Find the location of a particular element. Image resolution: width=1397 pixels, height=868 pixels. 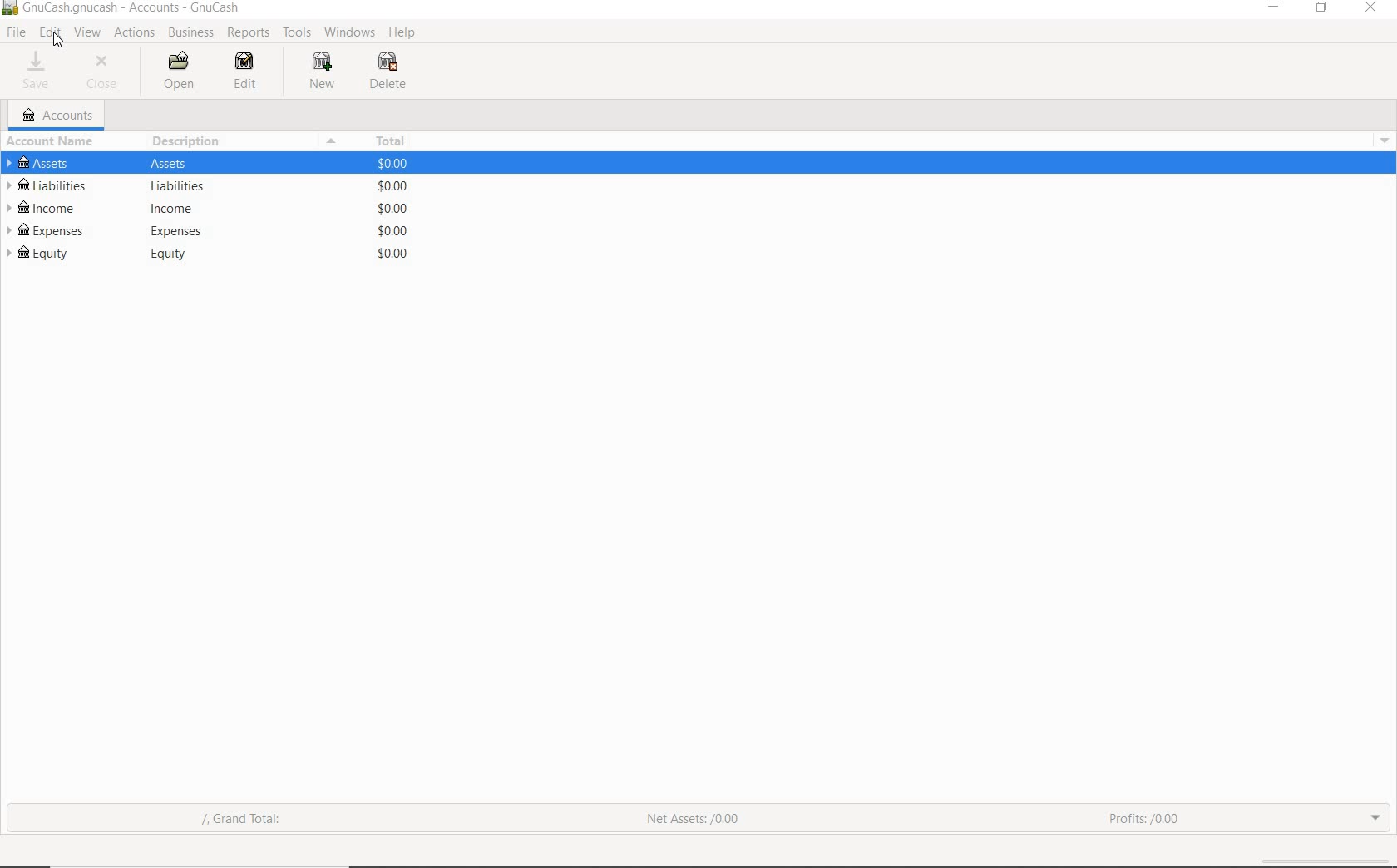

 is located at coordinates (137, 8).